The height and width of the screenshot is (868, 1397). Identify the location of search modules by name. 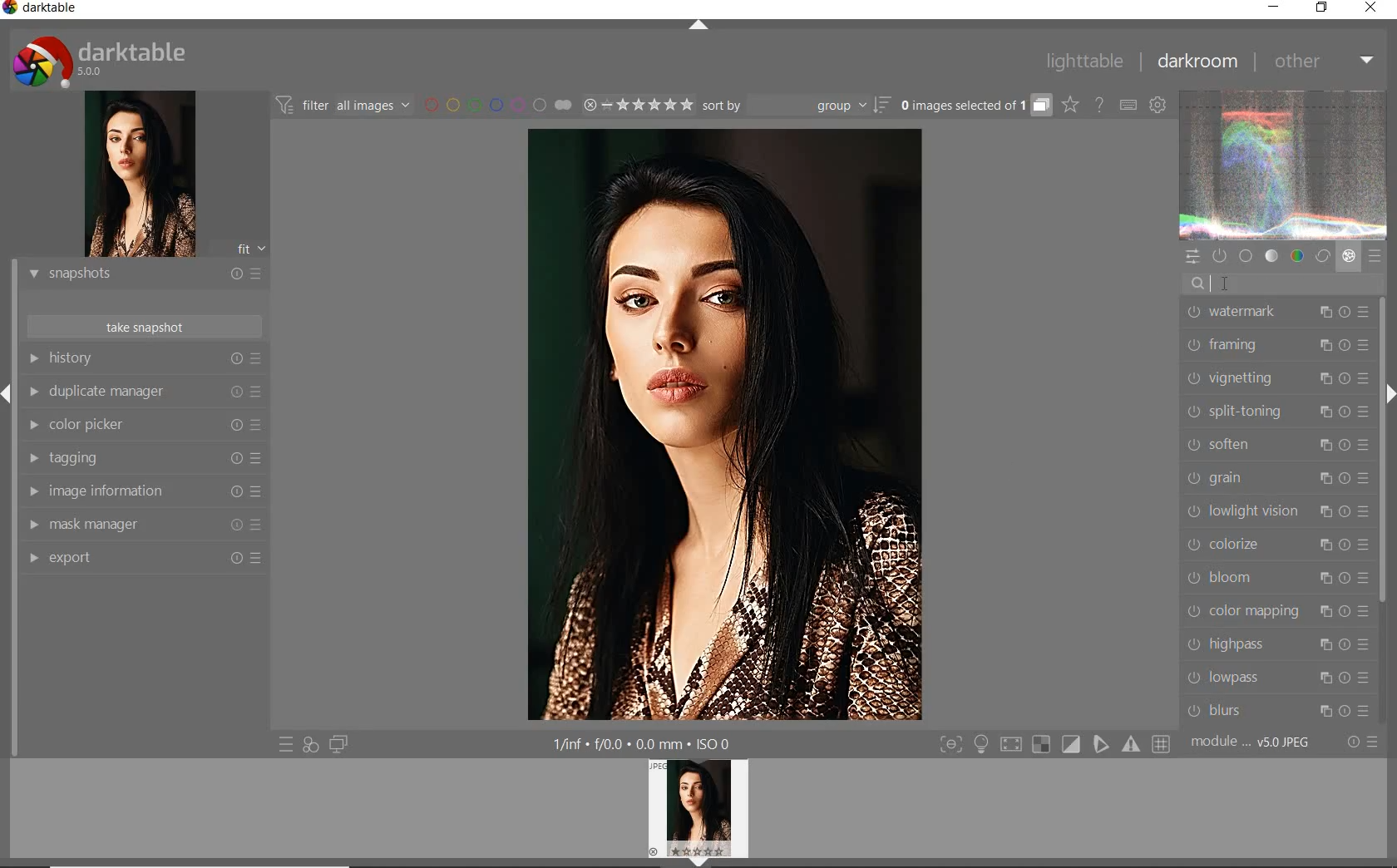
(1284, 284).